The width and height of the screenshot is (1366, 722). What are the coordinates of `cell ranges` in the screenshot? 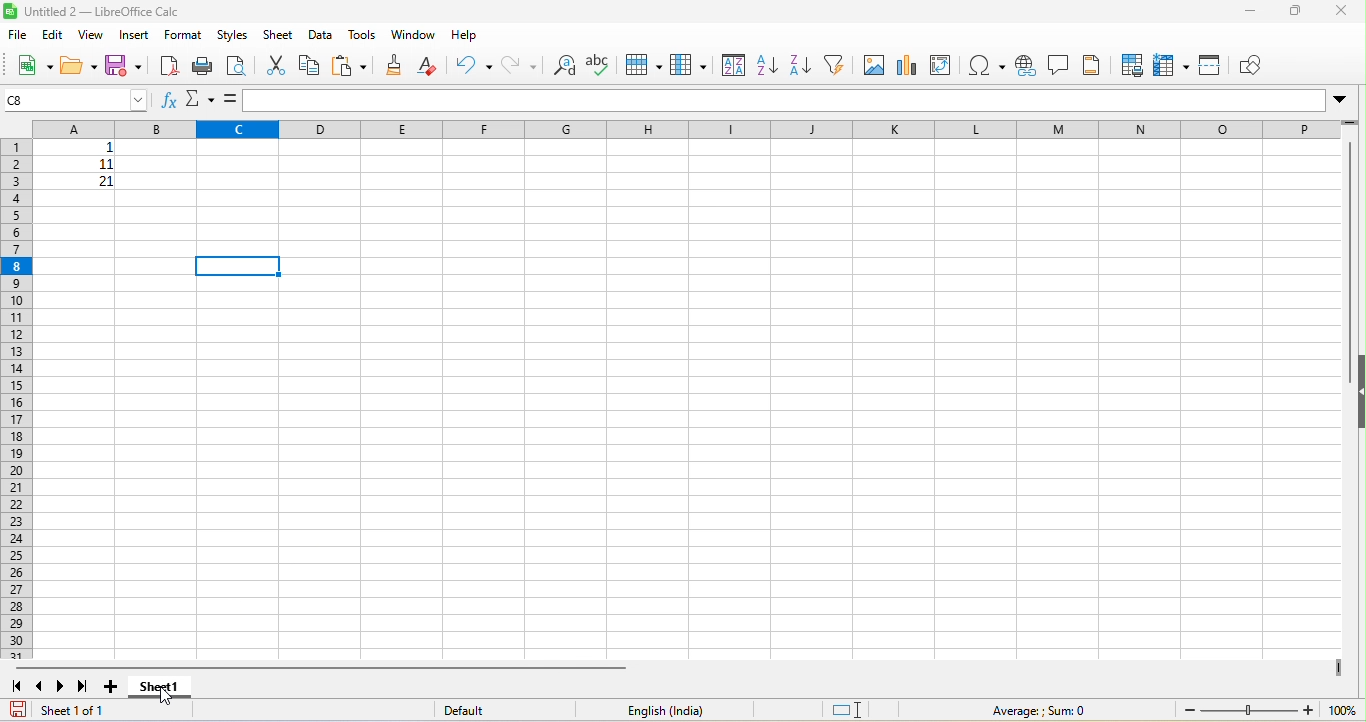 It's located at (73, 167).